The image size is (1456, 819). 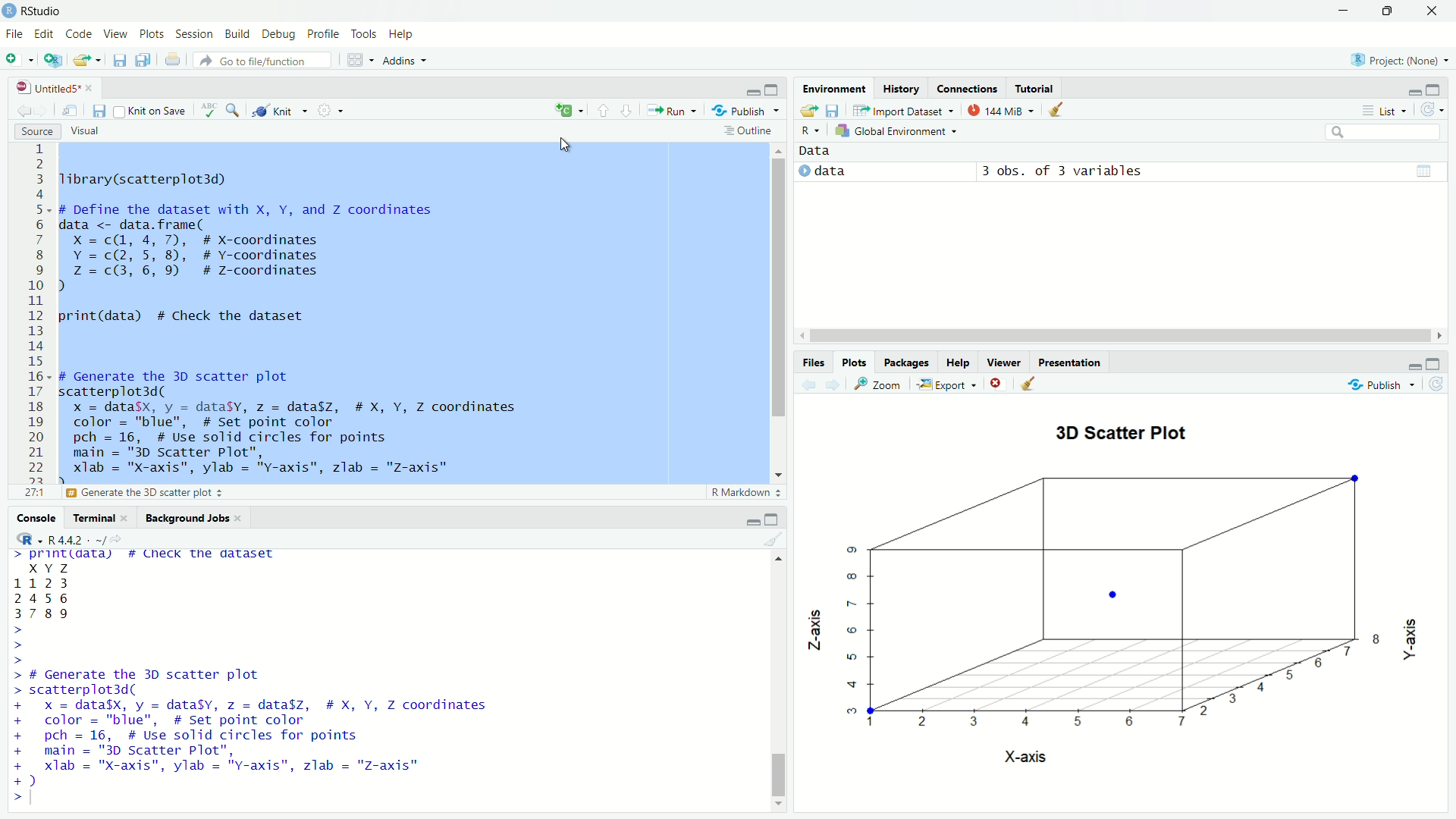 I want to click on help, so click(x=958, y=362).